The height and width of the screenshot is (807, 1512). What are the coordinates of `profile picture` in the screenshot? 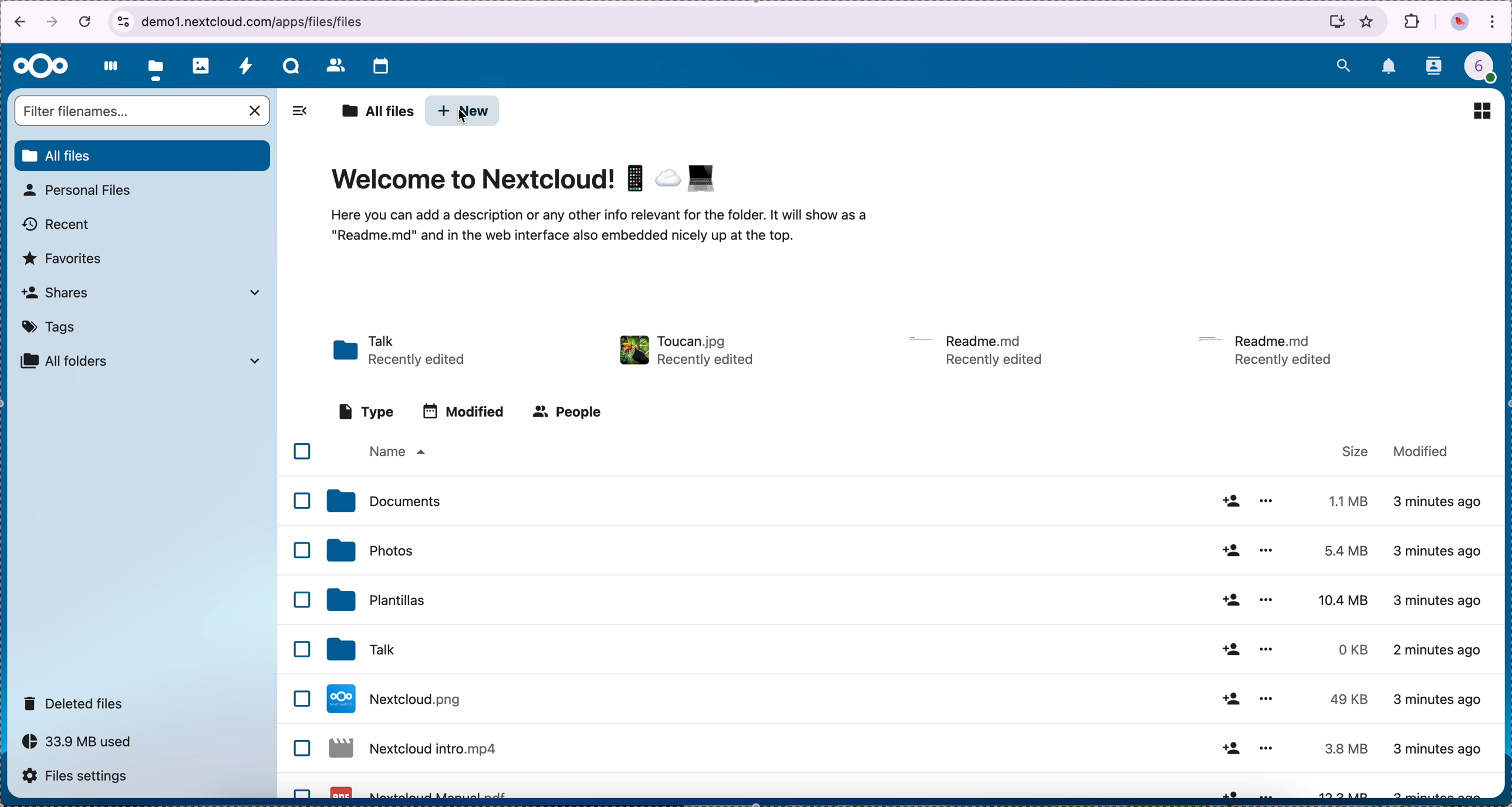 It's located at (1460, 23).